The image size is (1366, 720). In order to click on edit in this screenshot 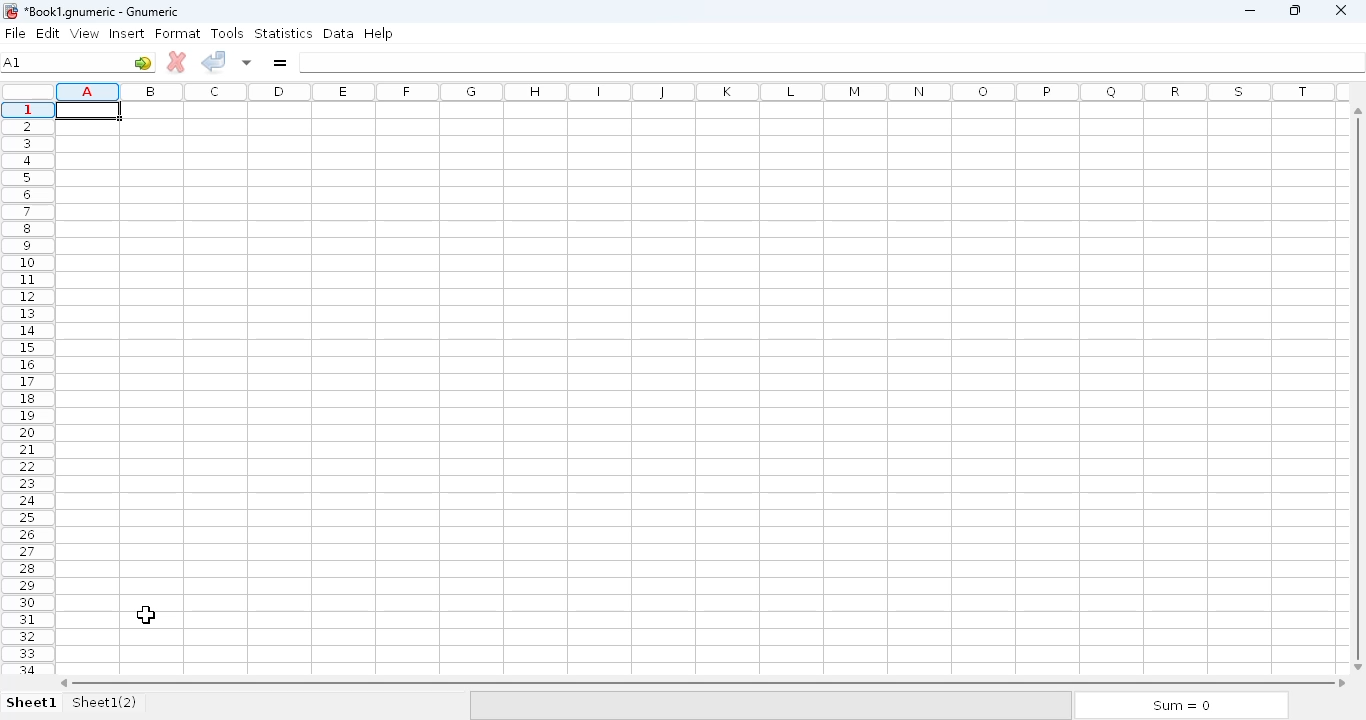, I will do `click(50, 33)`.